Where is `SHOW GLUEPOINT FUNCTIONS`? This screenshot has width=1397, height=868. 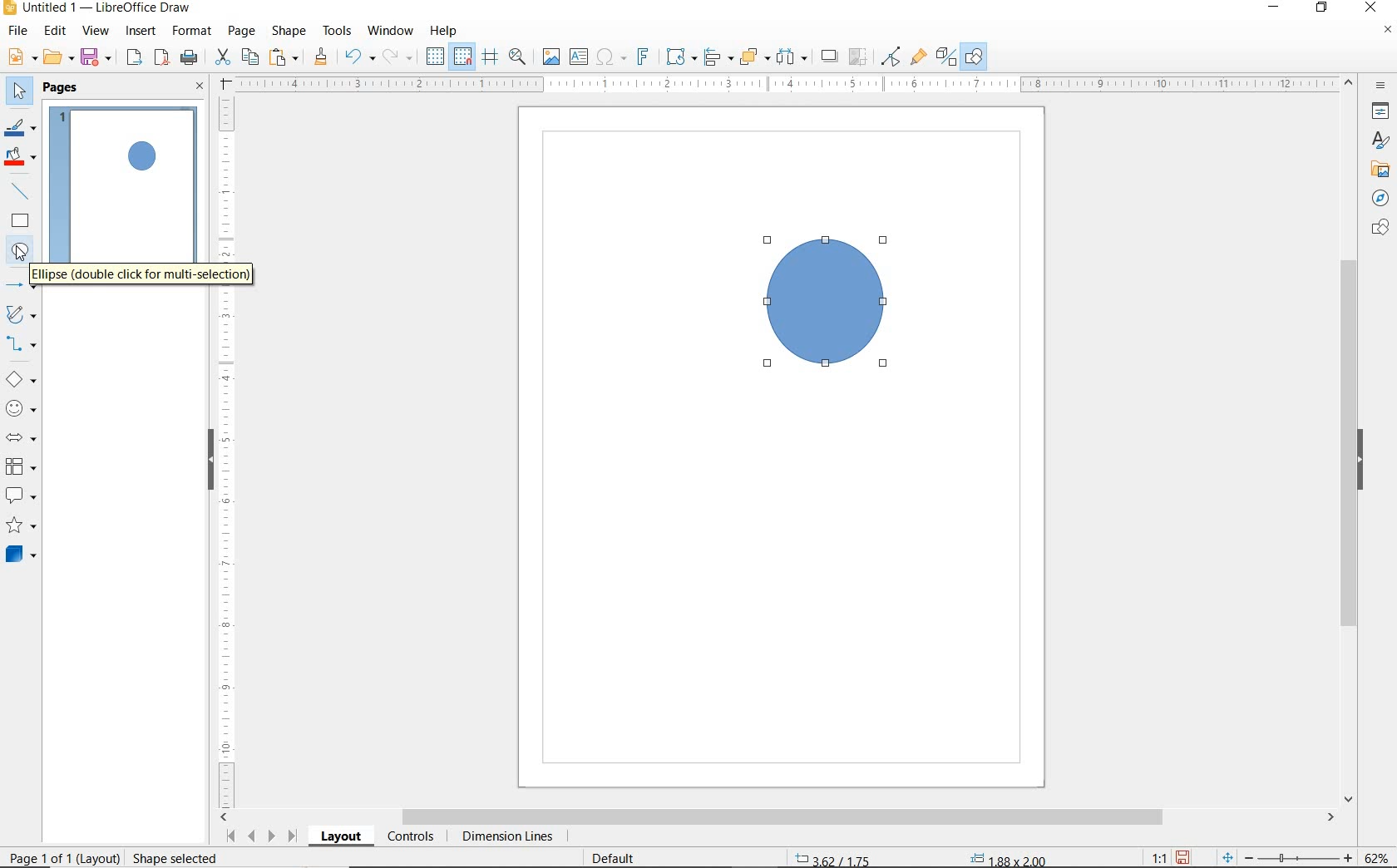 SHOW GLUEPOINT FUNCTIONS is located at coordinates (918, 57).